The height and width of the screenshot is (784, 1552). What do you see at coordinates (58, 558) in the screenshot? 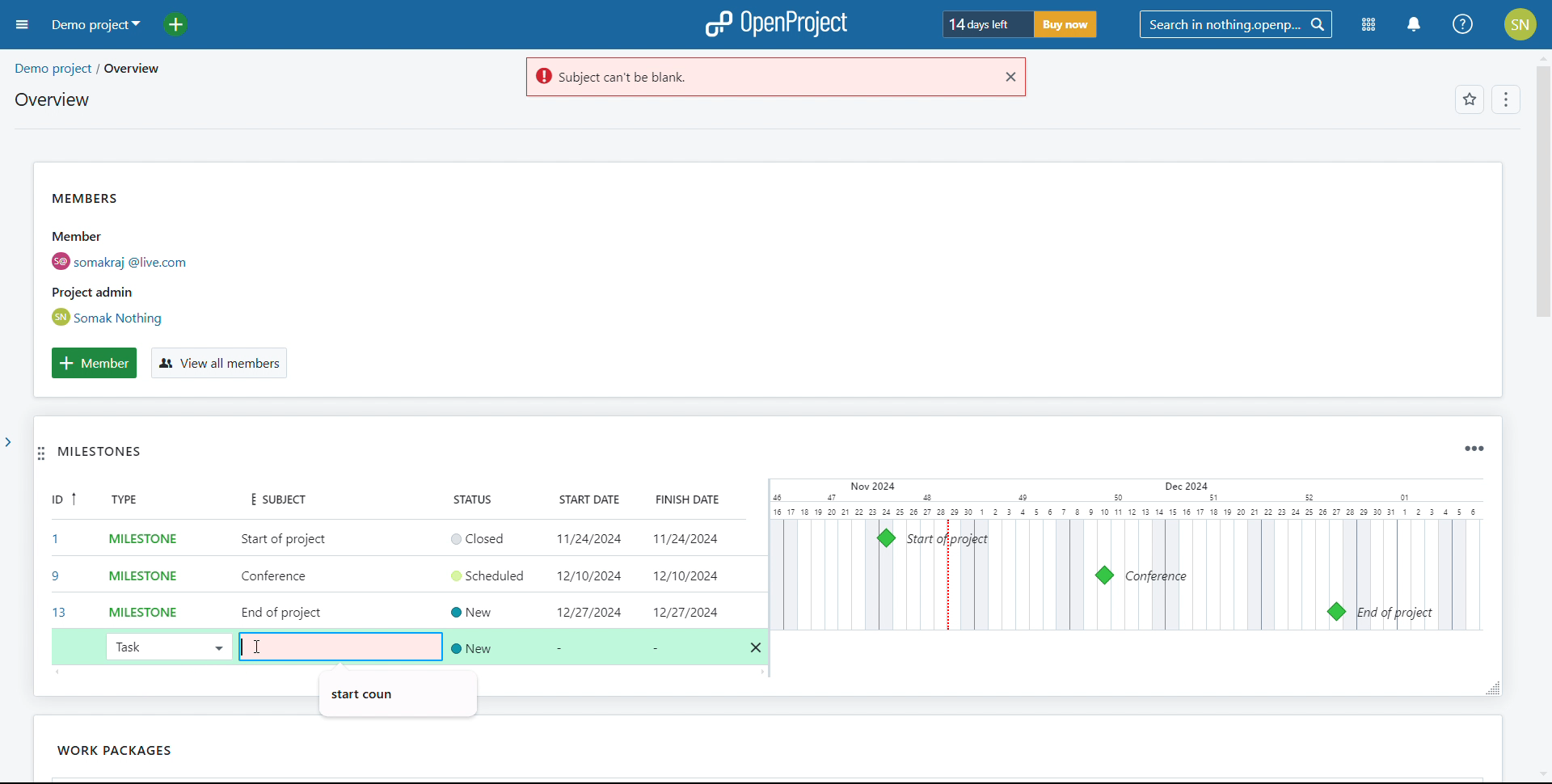
I see `id` at bounding box center [58, 558].